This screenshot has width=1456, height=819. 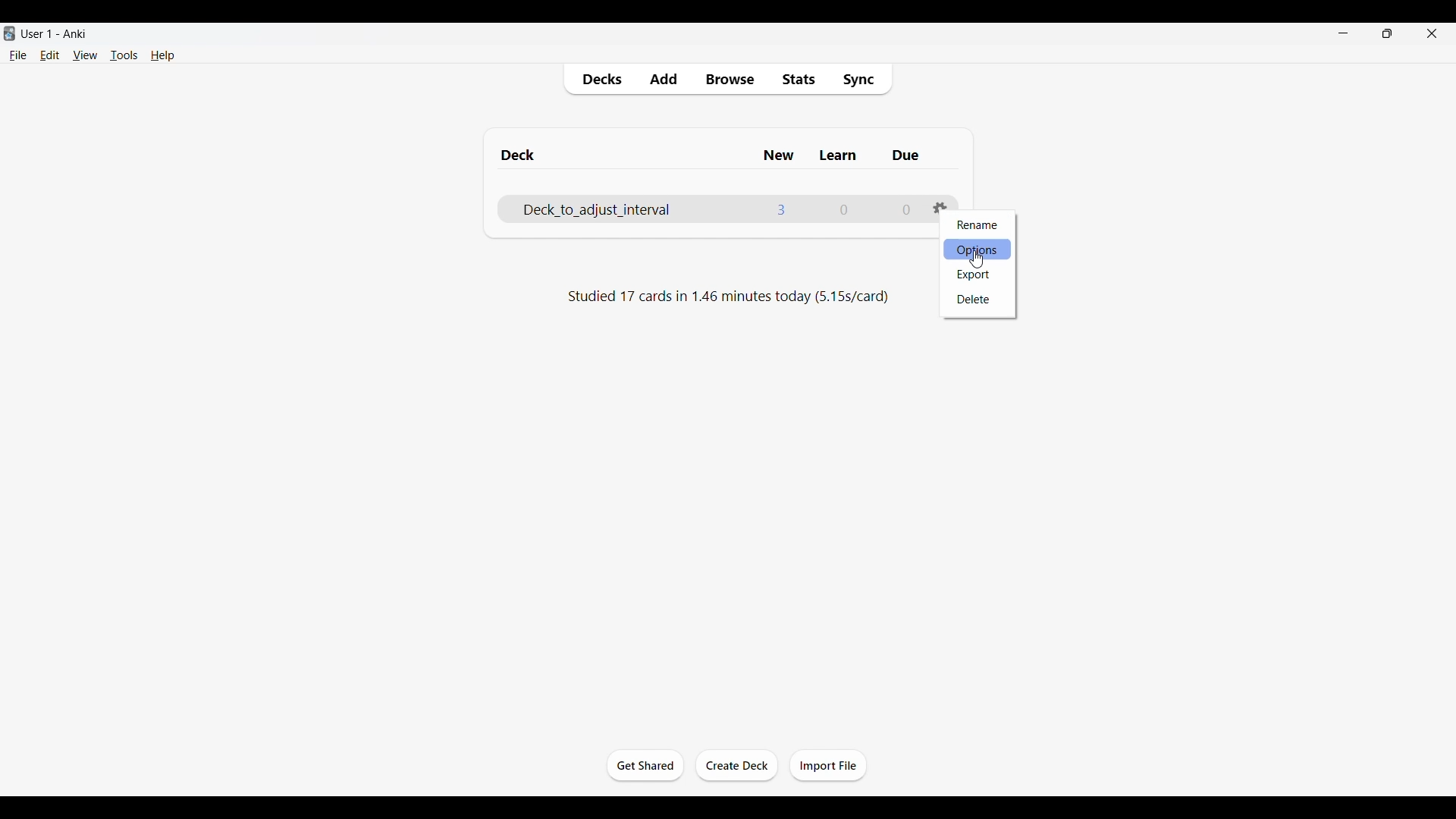 I want to click on User 1 - Anki, so click(x=55, y=33).